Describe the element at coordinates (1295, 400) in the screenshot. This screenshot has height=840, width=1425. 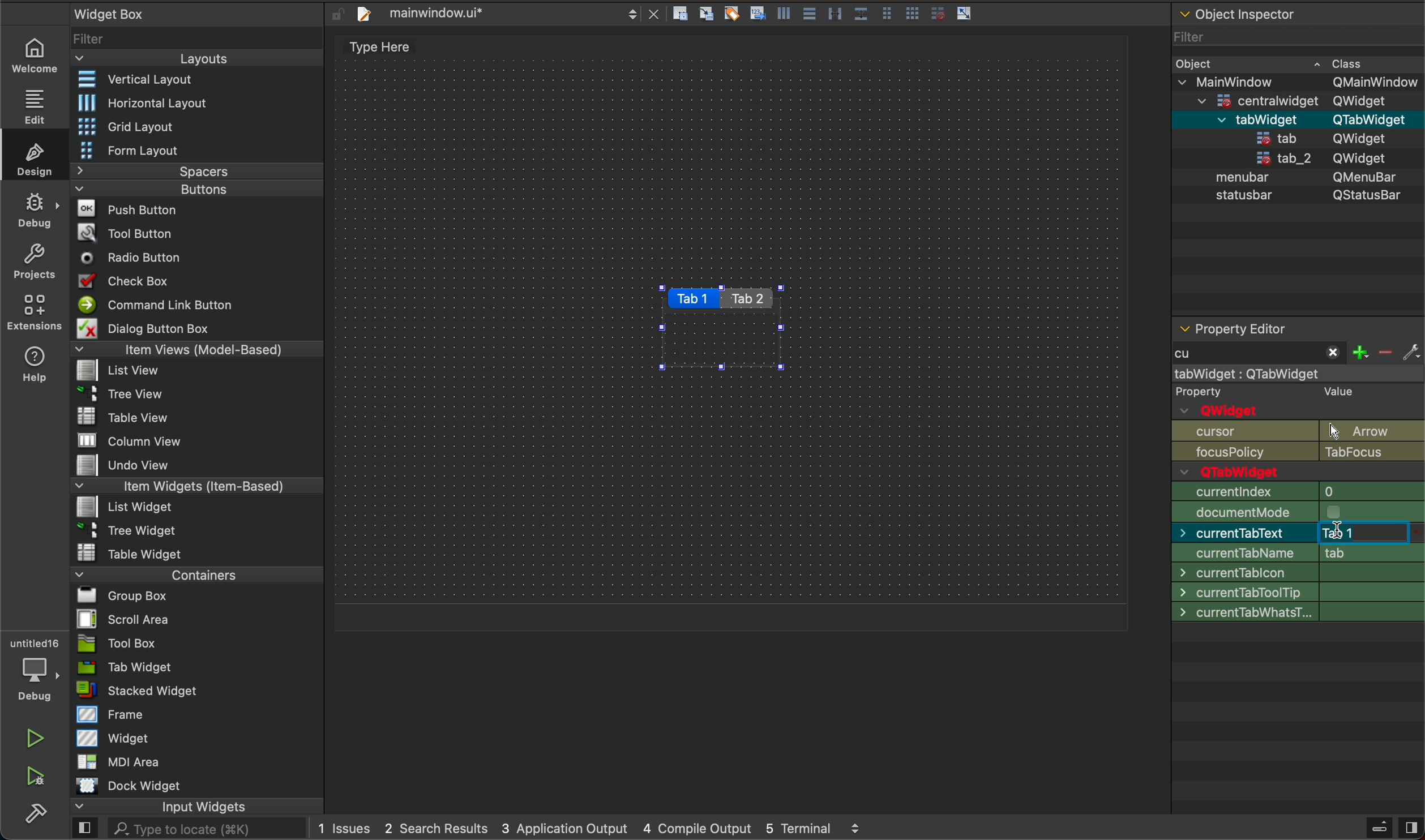
I see `qobject` at that location.